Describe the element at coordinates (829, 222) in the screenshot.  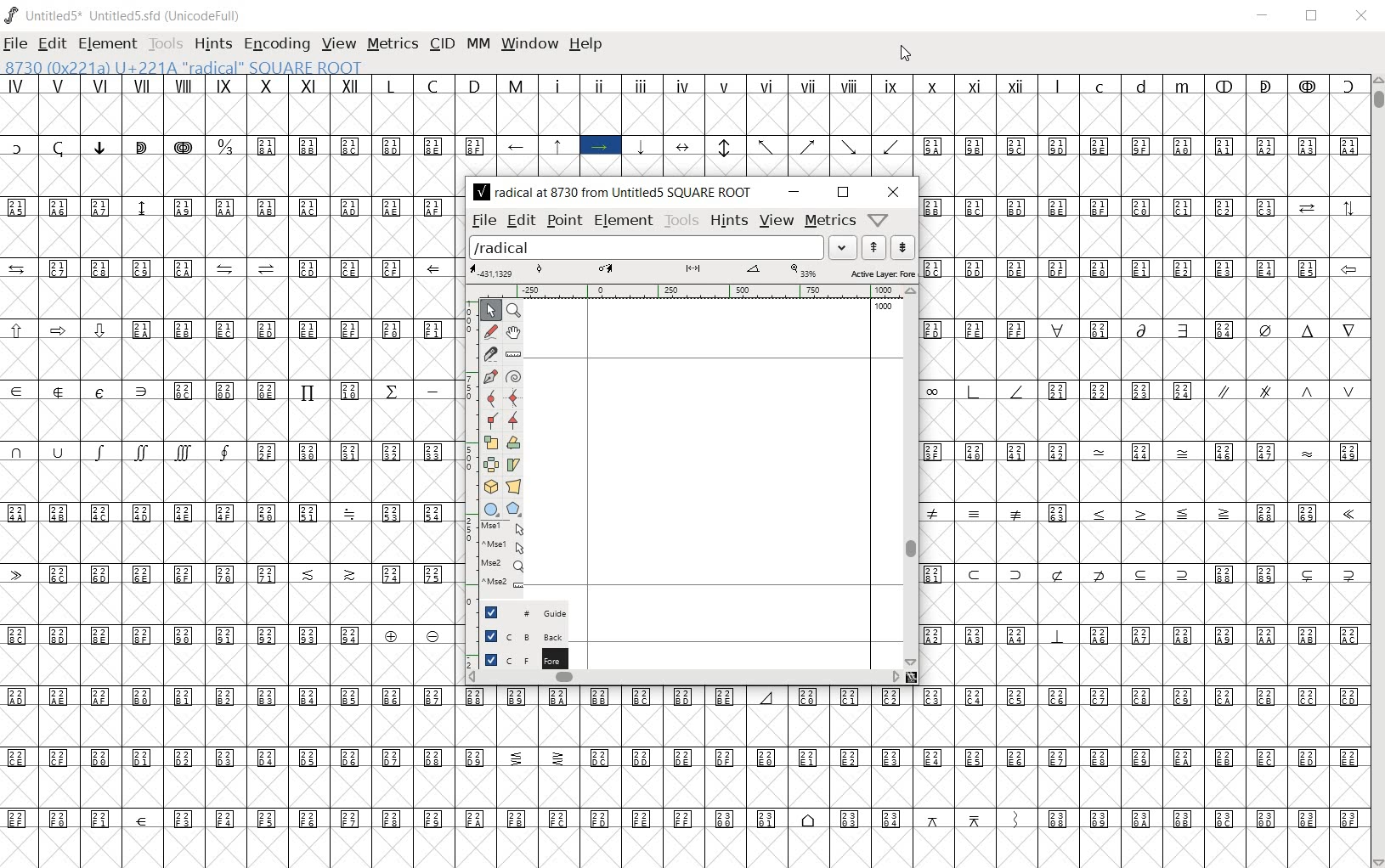
I see `metrics` at that location.